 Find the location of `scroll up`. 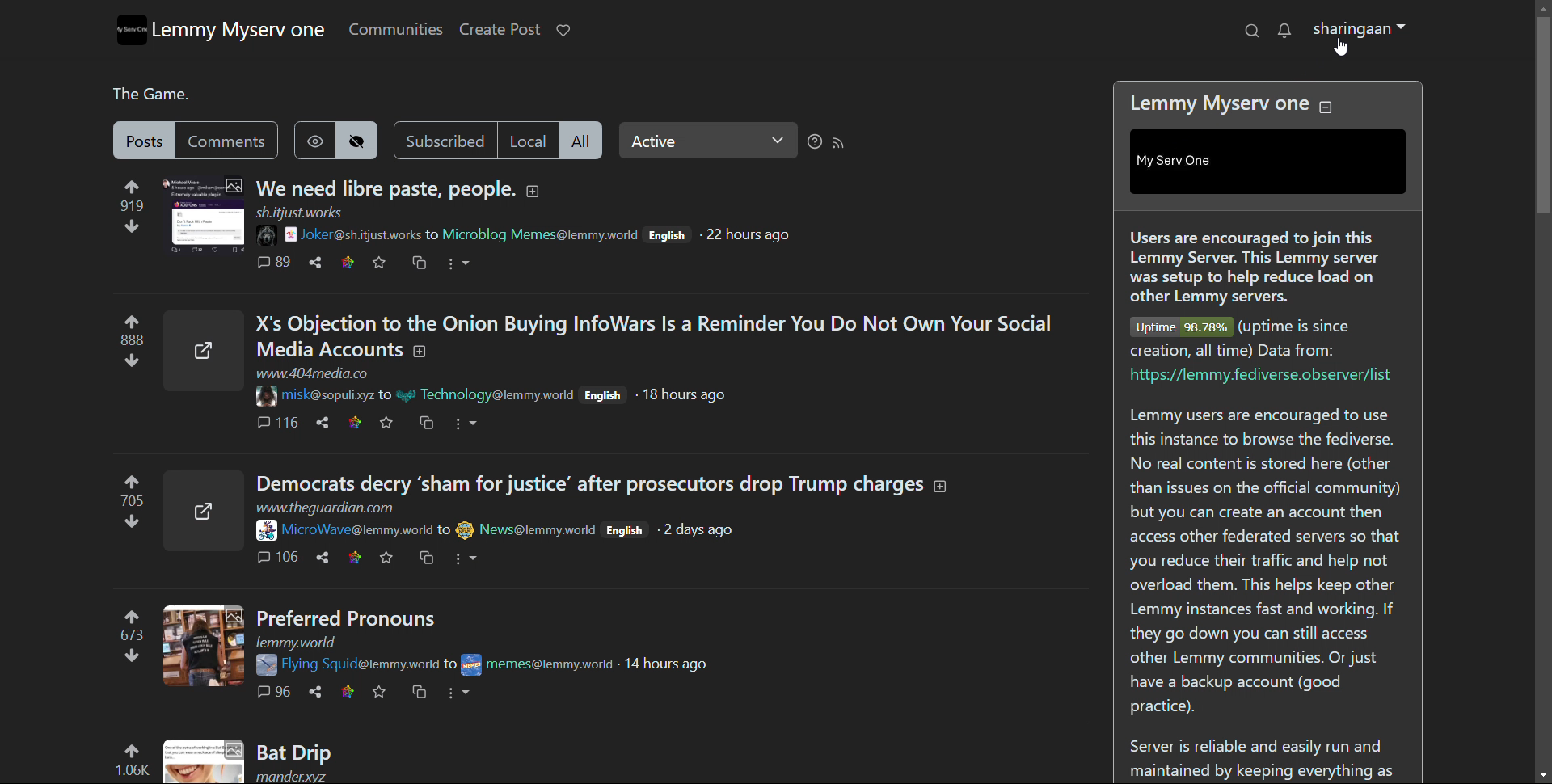

scroll up is located at coordinates (1541, 7).